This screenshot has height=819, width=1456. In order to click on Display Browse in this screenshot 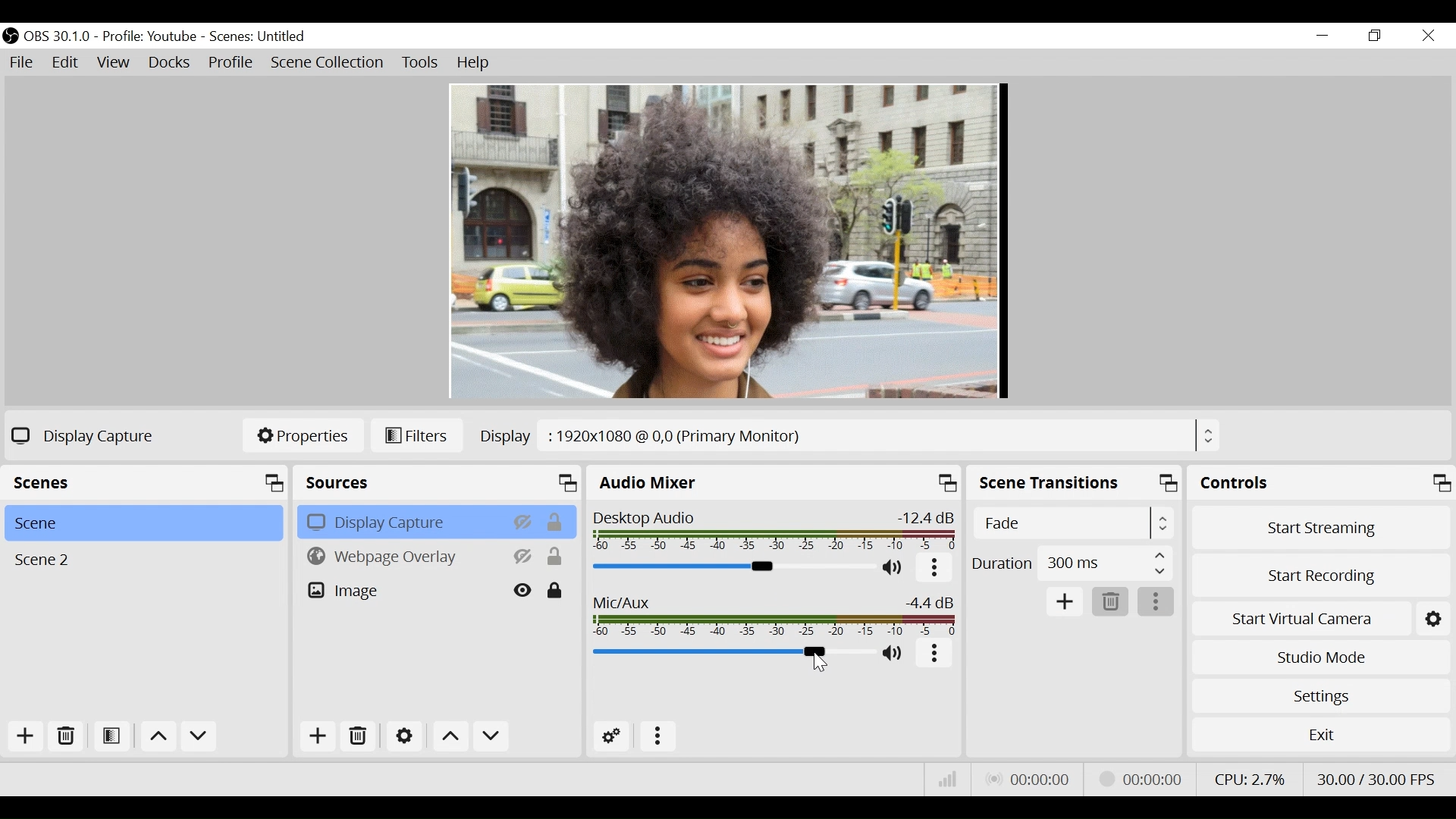, I will do `click(848, 436)`.